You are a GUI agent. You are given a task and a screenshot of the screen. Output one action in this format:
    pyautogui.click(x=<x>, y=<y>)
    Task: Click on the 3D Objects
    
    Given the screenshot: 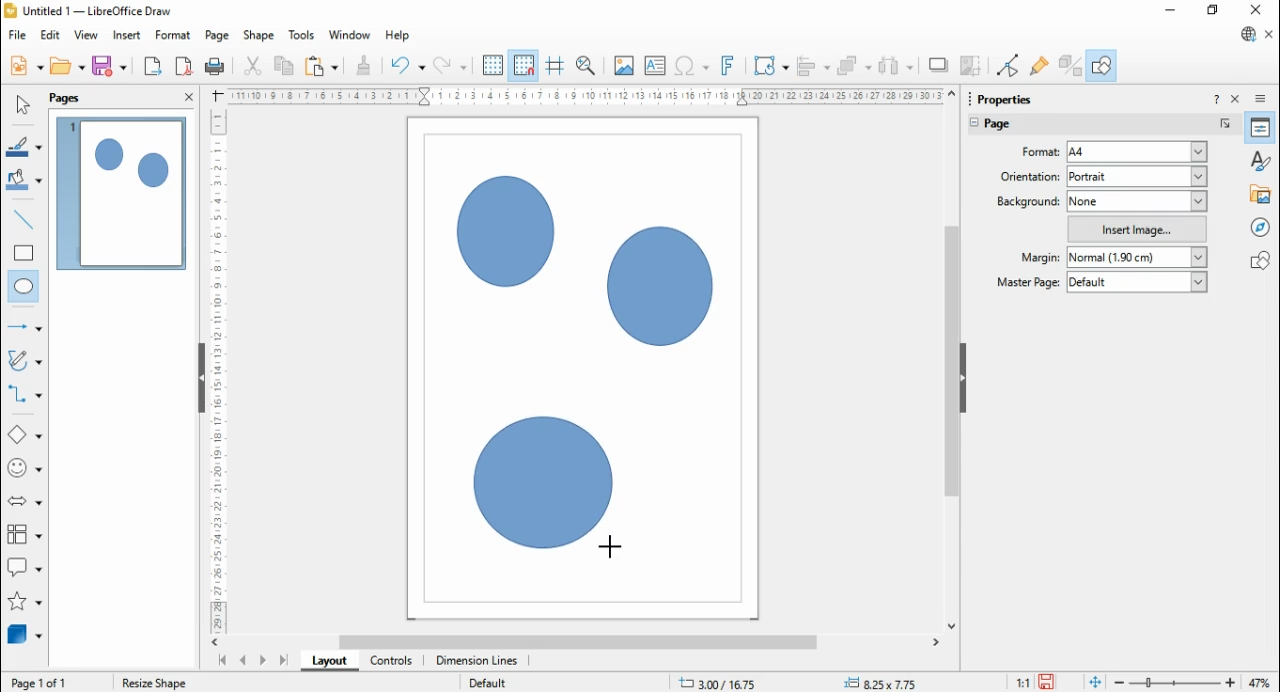 What is the action you would take?
    pyautogui.click(x=23, y=635)
    